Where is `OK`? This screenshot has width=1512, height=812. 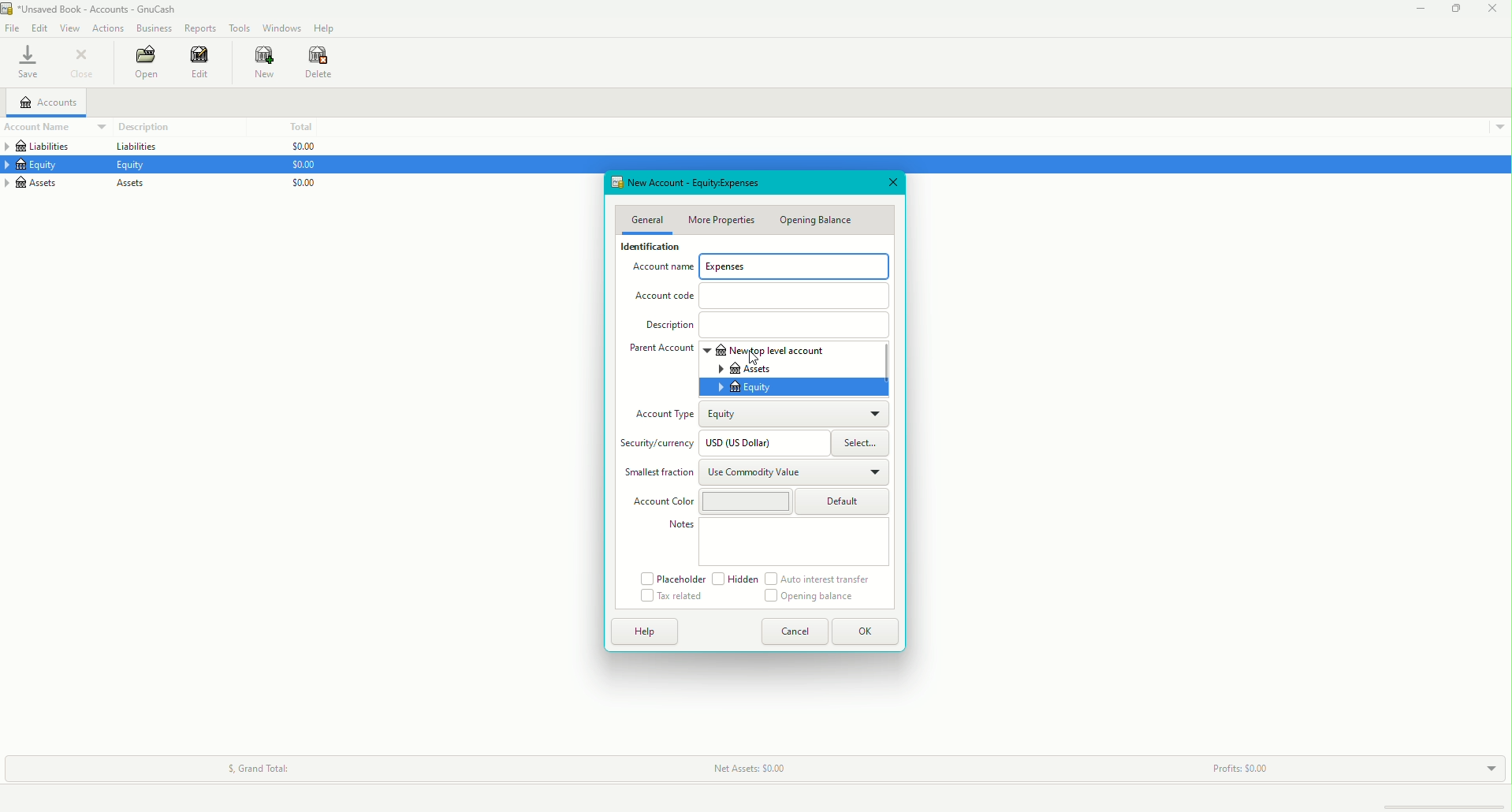 OK is located at coordinates (868, 631).